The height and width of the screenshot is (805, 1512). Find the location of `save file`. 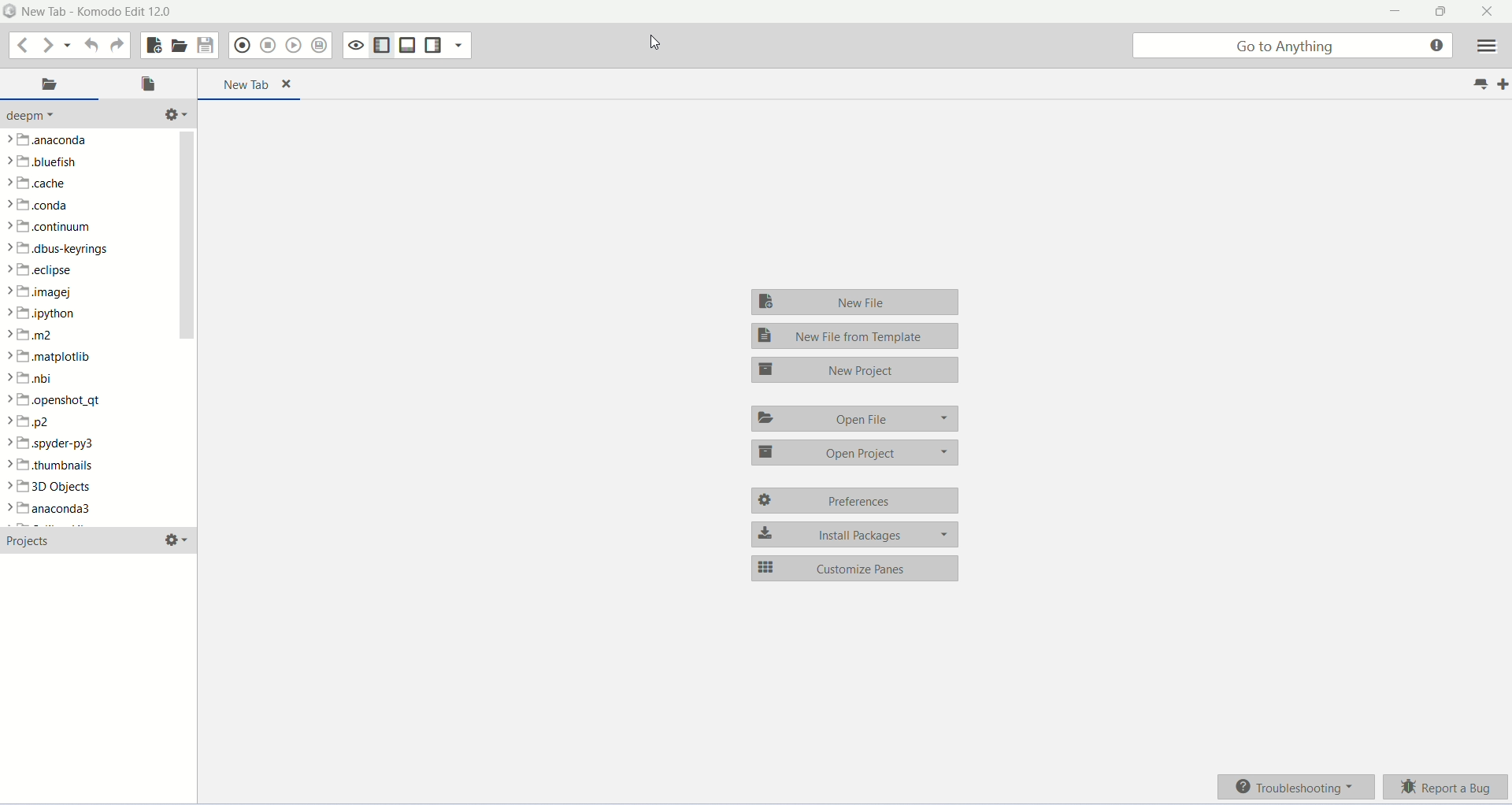

save file is located at coordinates (207, 46).